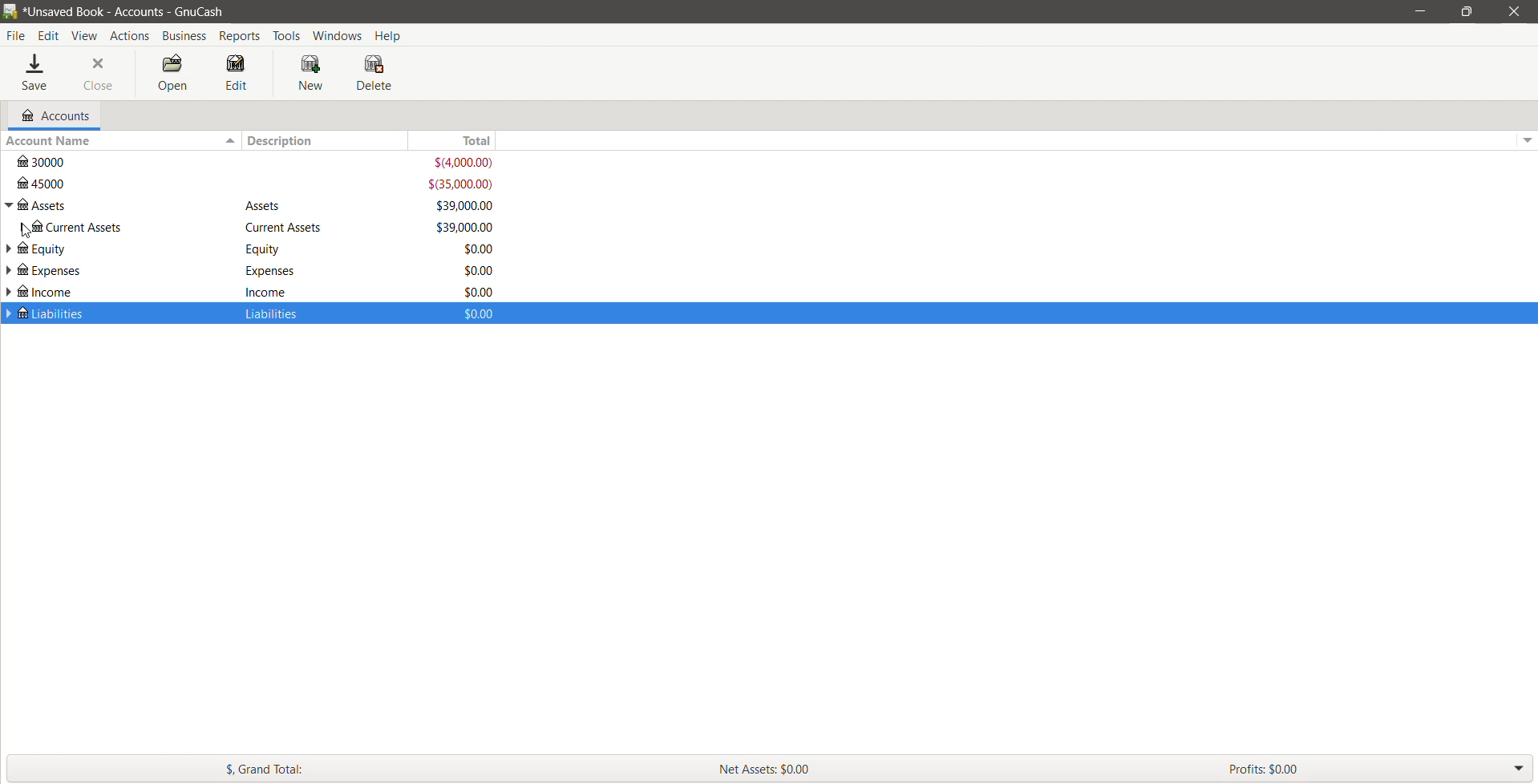 The height and width of the screenshot is (784, 1538). What do you see at coordinates (963, 139) in the screenshot?
I see `Total` at bounding box center [963, 139].